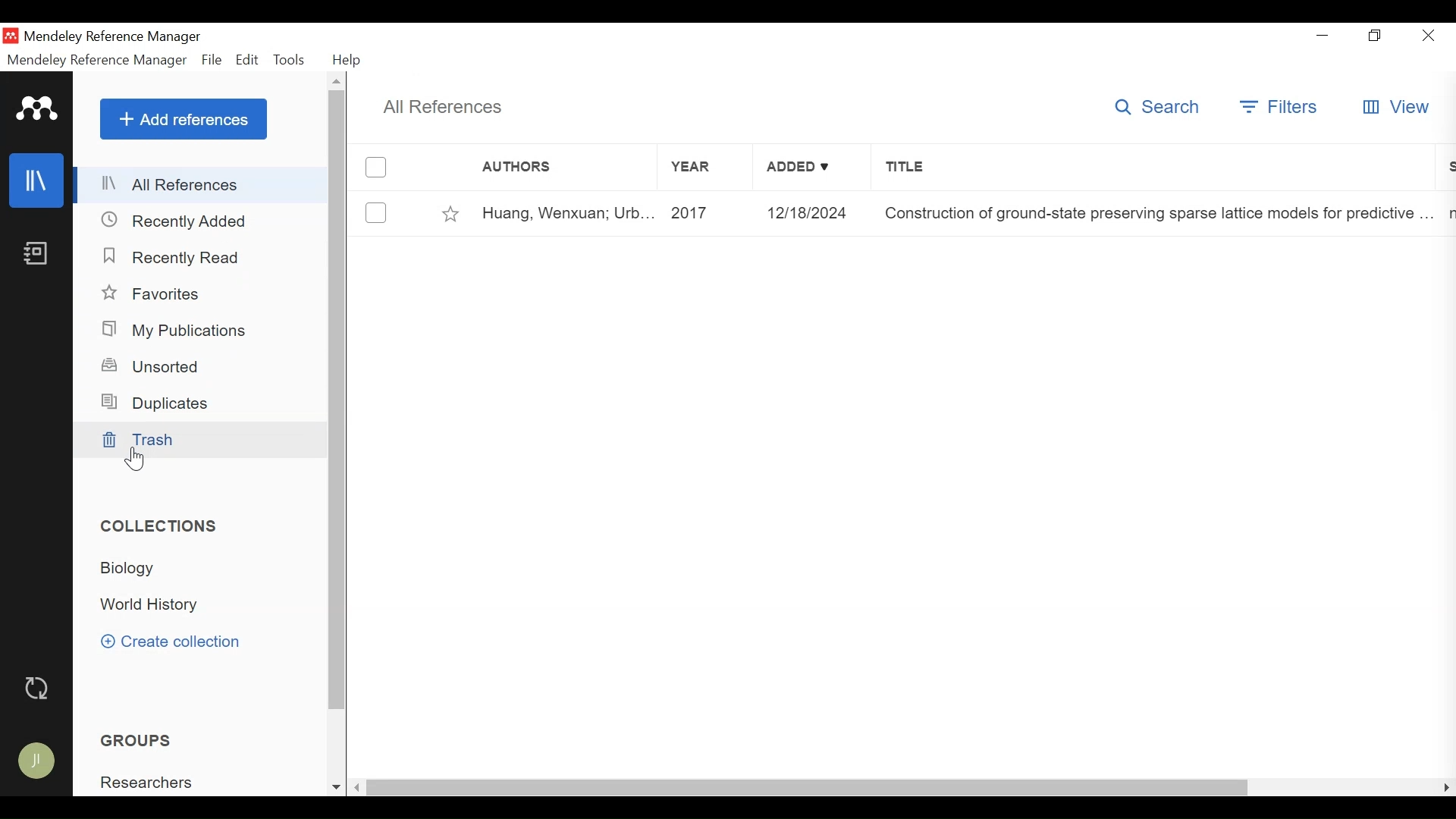  Describe the element at coordinates (198, 441) in the screenshot. I see `Trash` at that location.